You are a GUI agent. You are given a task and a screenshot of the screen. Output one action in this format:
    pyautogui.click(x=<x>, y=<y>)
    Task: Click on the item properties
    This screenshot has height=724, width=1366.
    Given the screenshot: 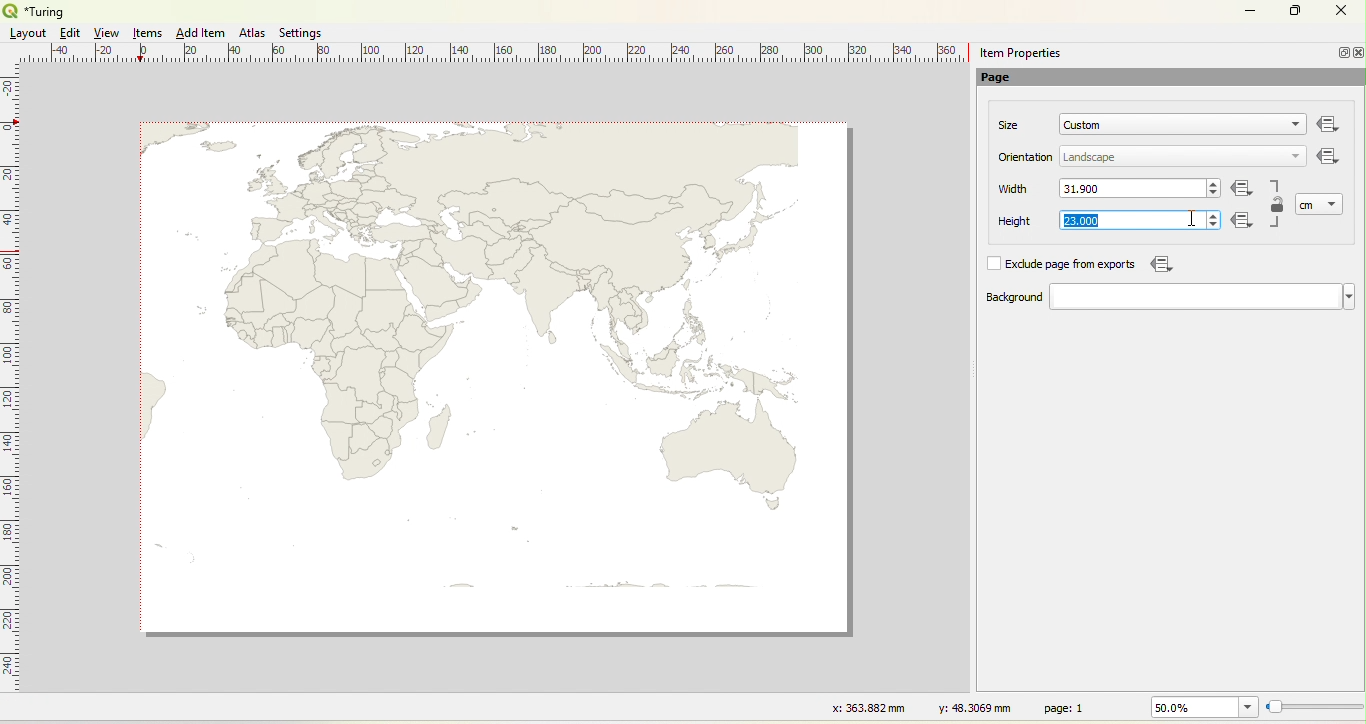 What is the action you would take?
    pyautogui.click(x=1020, y=53)
    